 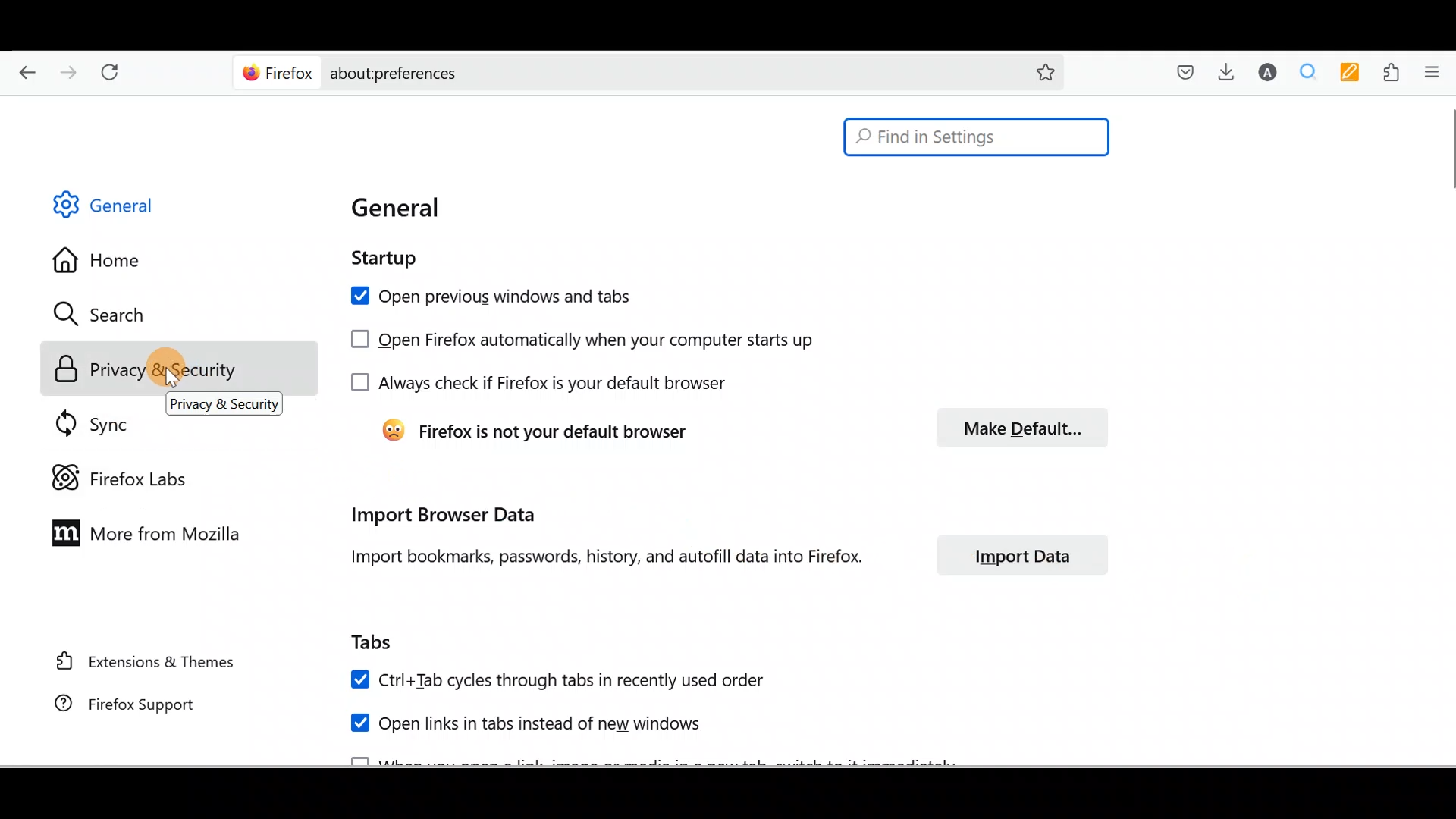 What do you see at coordinates (601, 558) in the screenshot?
I see `Import bookmarks, passwords, history and autofill data into Firefox` at bounding box center [601, 558].